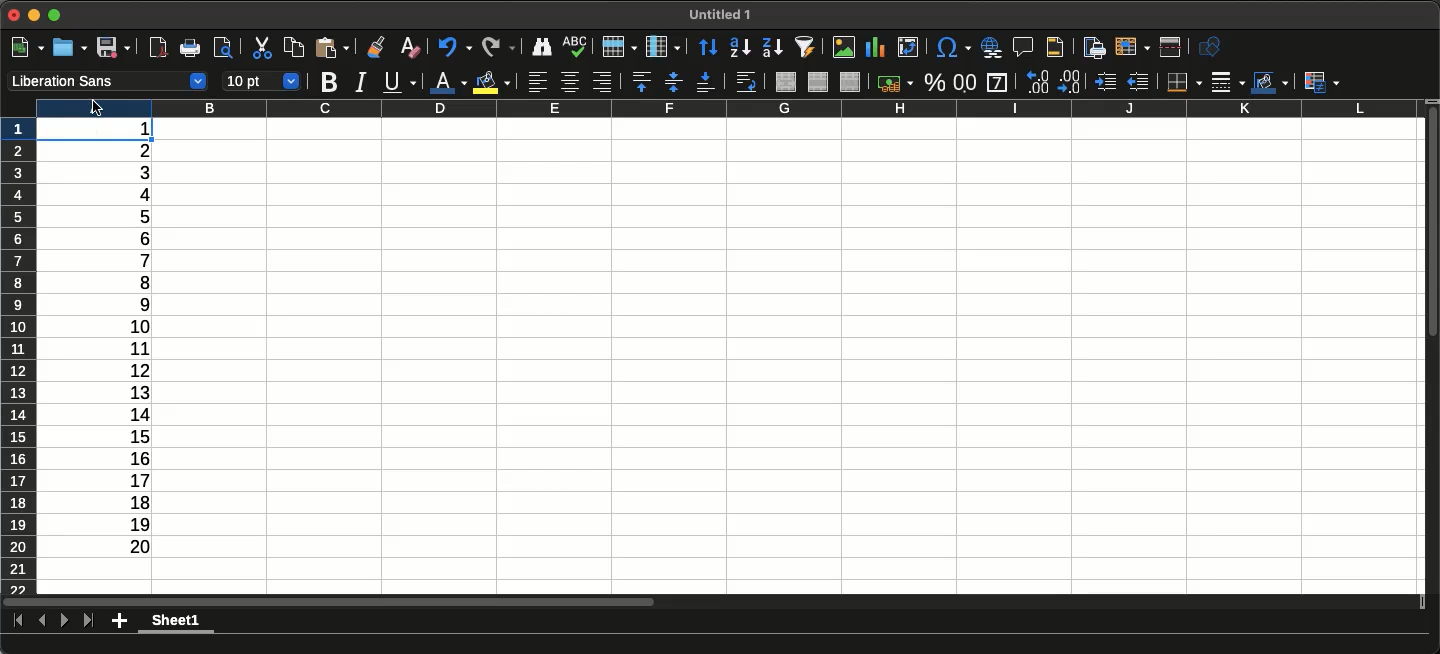 Image resolution: width=1440 pixels, height=654 pixels. Describe the element at coordinates (87, 620) in the screenshot. I see `Last sheet` at that location.